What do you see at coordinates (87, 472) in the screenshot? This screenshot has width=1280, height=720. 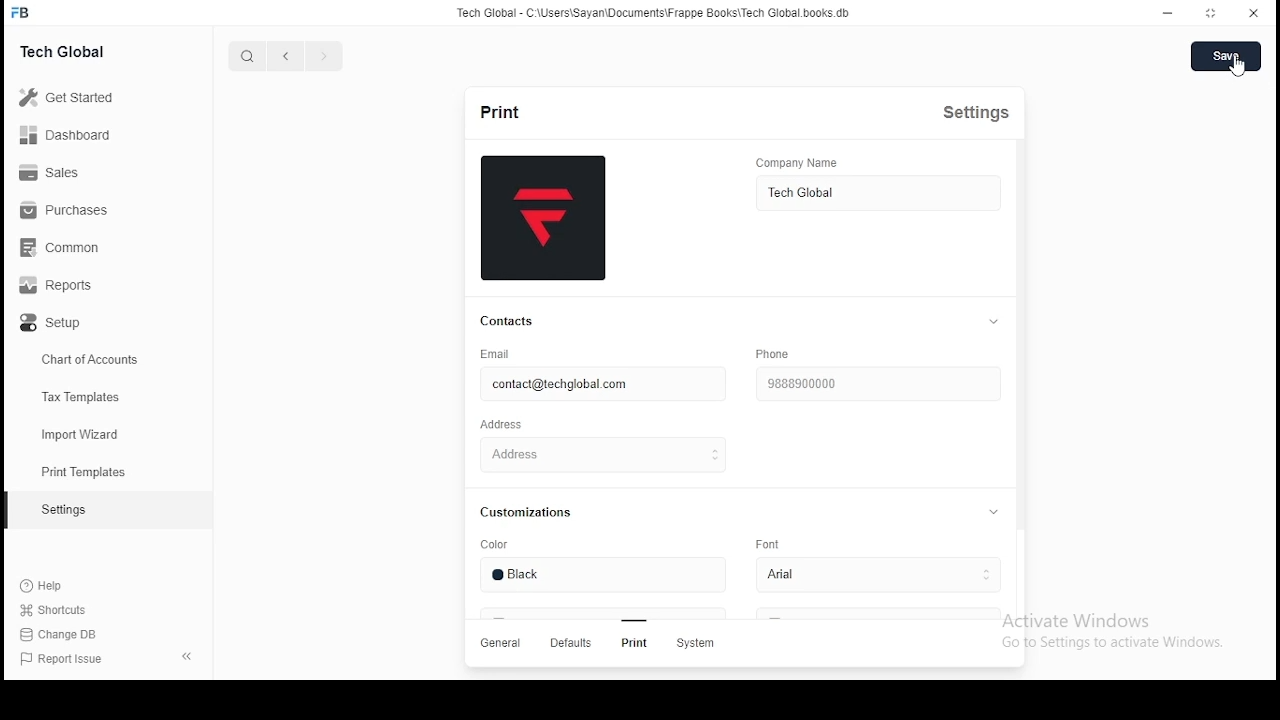 I see `print templates ` at bounding box center [87, 472].